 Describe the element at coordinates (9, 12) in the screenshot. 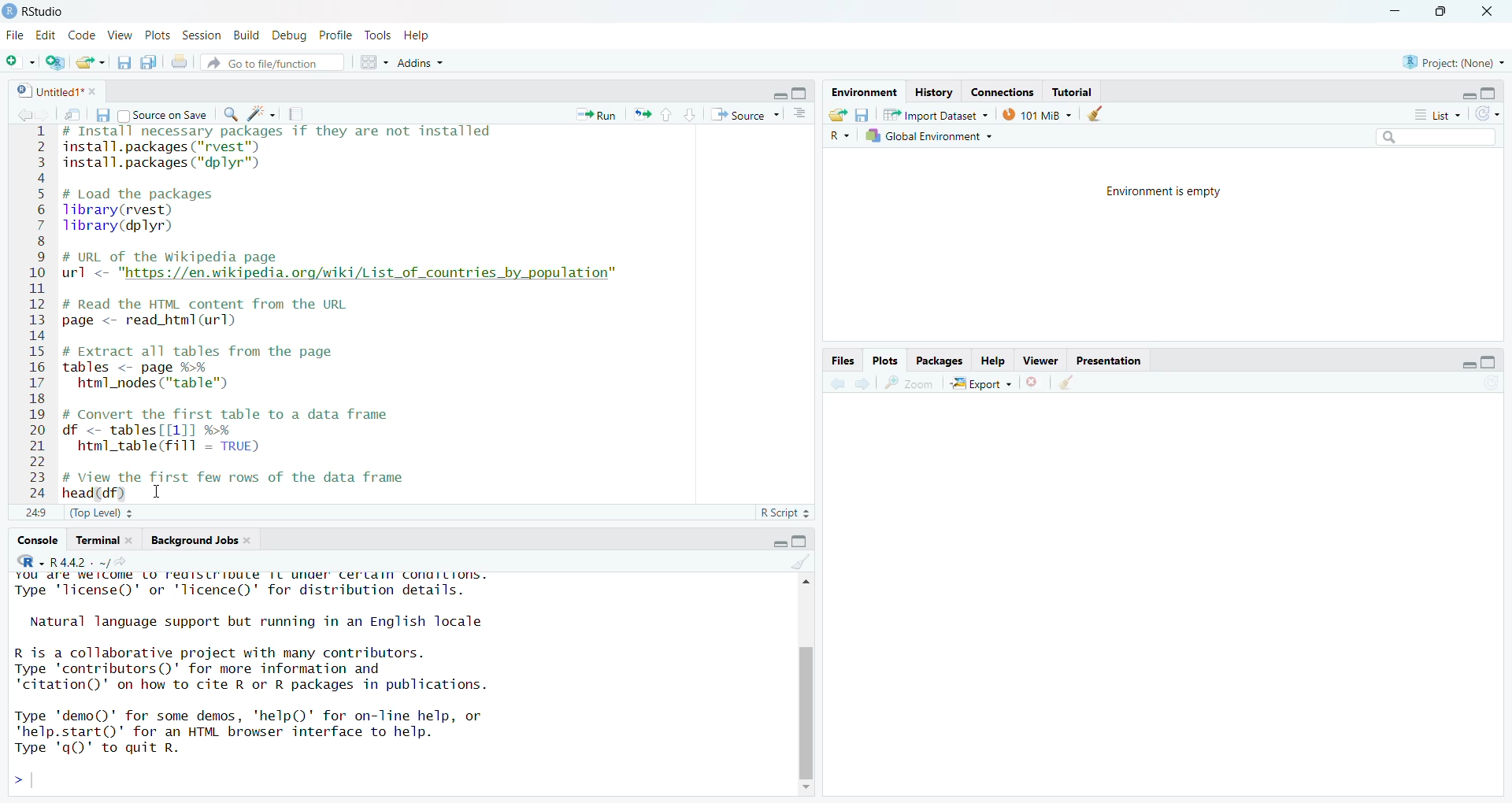

I see `logo` at that location.